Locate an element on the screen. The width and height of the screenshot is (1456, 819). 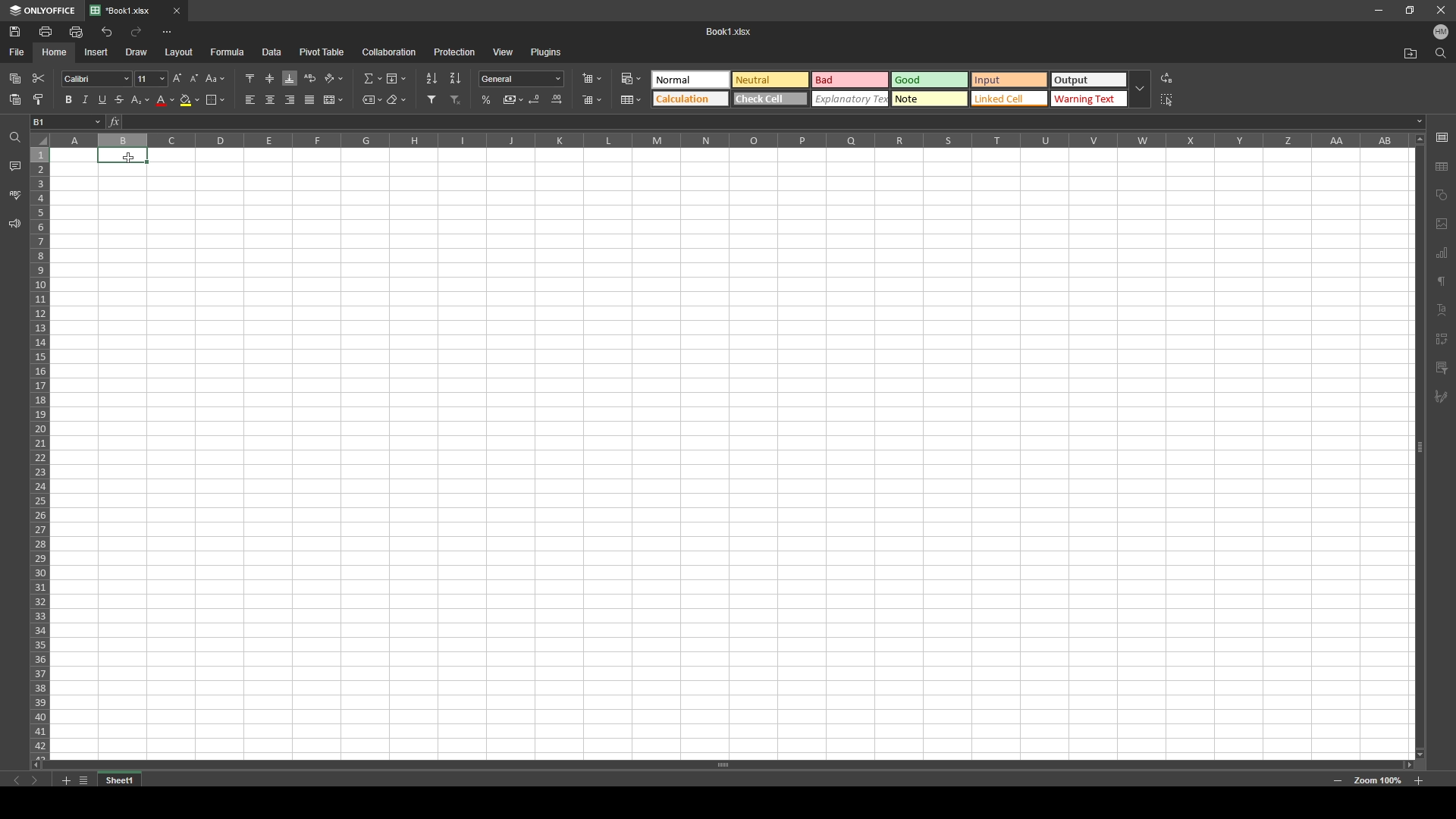
Output is located at coordinates (1088, 80).